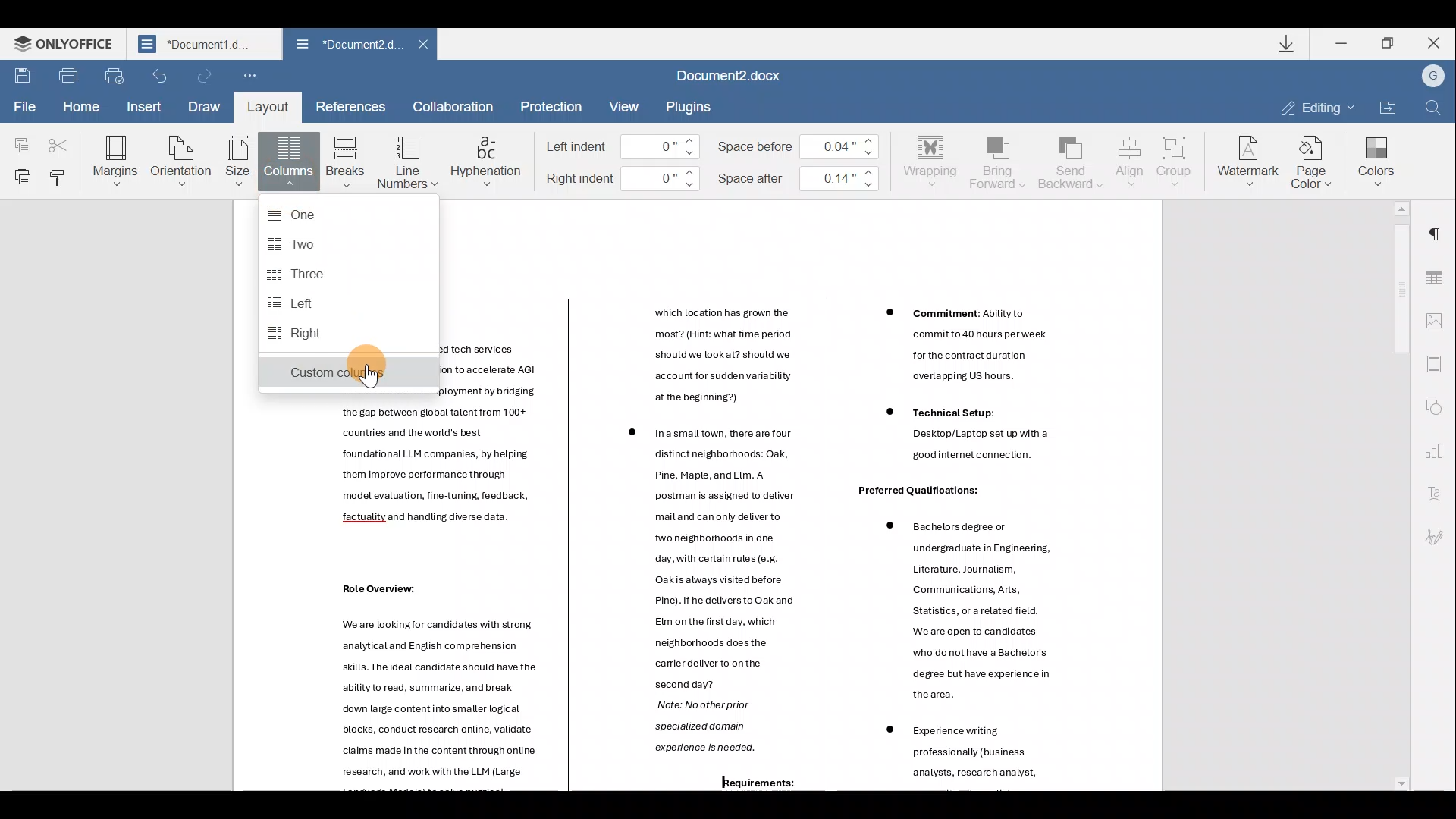 The image size is (1456, 819). What do you see at coordinates (1441, 452) in the screenshot?
I see `Chart settings` at bounding box center [1441, 452].